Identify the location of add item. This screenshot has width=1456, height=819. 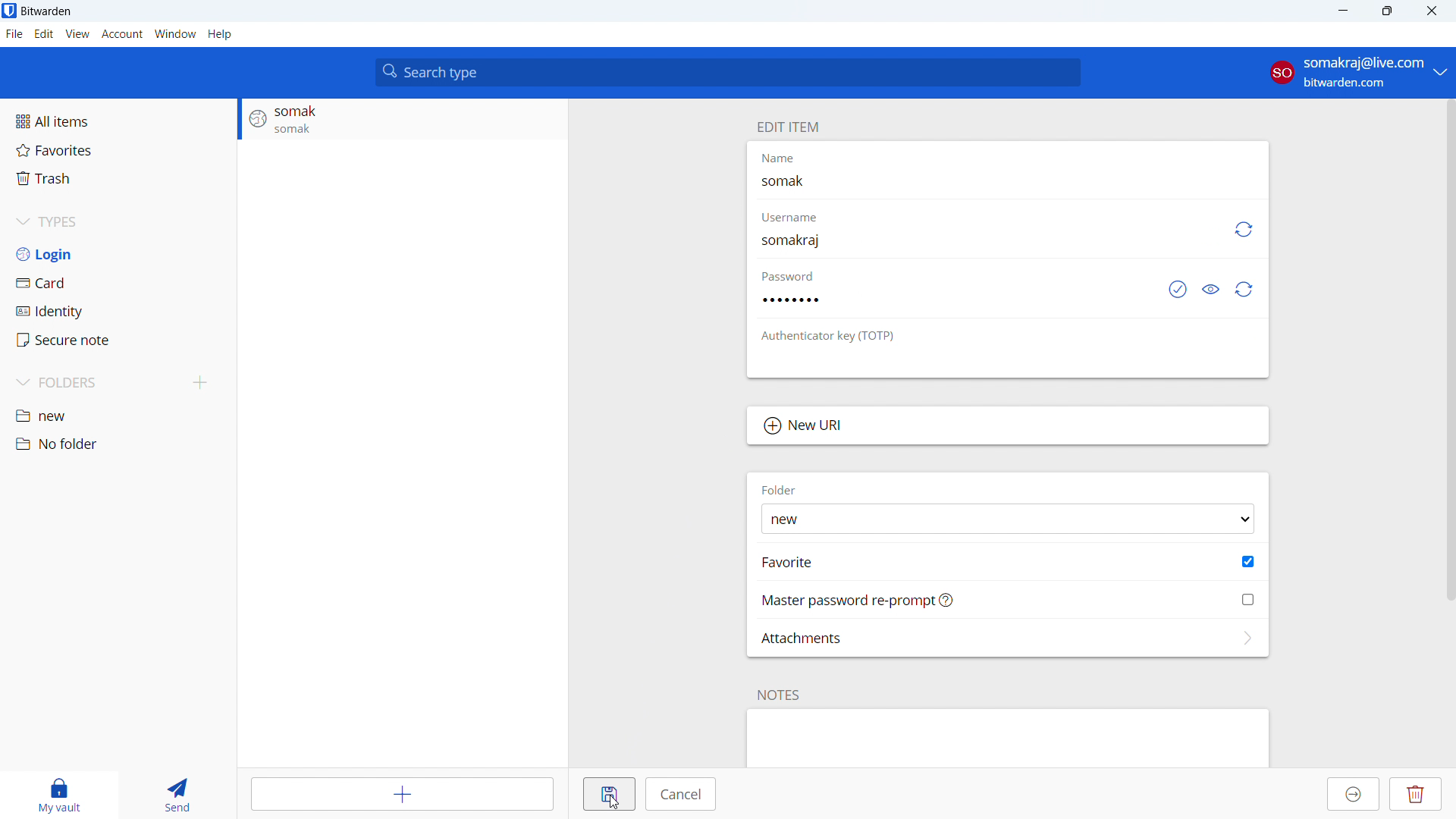
(405, 793).